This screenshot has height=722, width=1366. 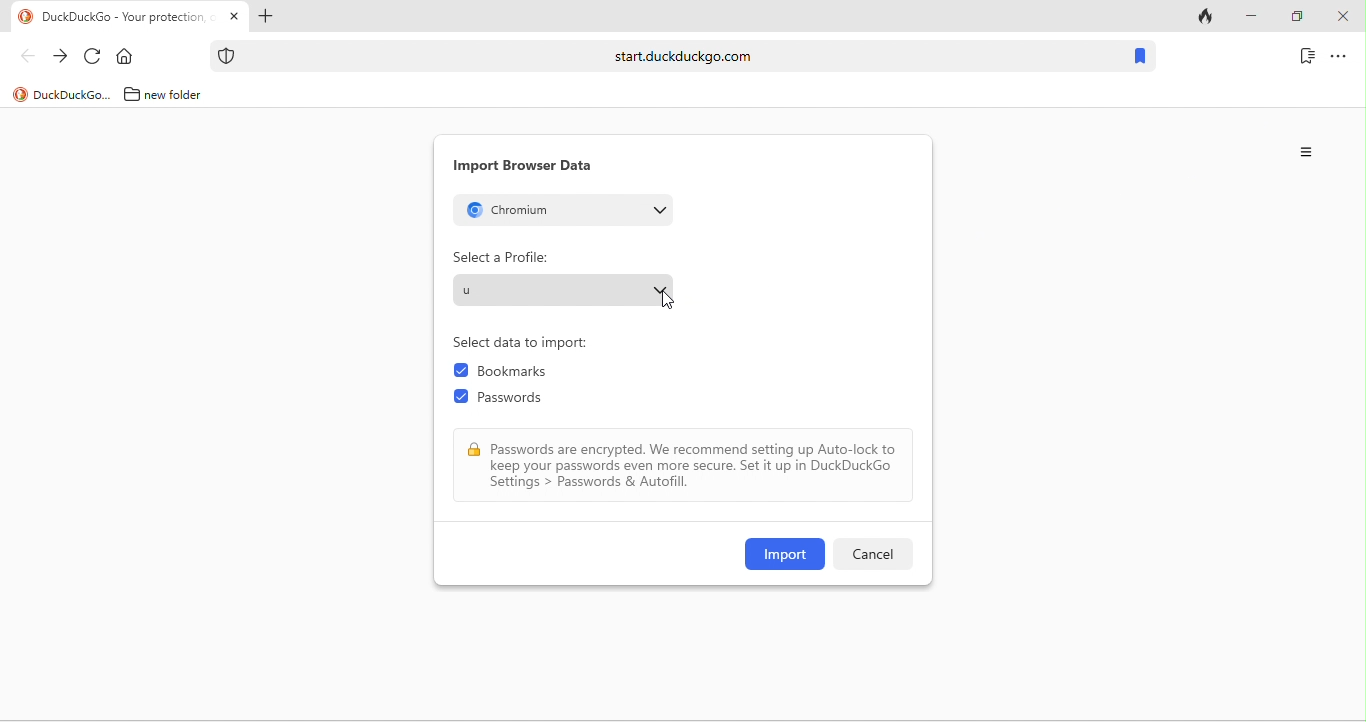 What do you see at coordinates (1307, 55) in the screenshot?
I see `bookmarks` at bounding box center [1307, 55].